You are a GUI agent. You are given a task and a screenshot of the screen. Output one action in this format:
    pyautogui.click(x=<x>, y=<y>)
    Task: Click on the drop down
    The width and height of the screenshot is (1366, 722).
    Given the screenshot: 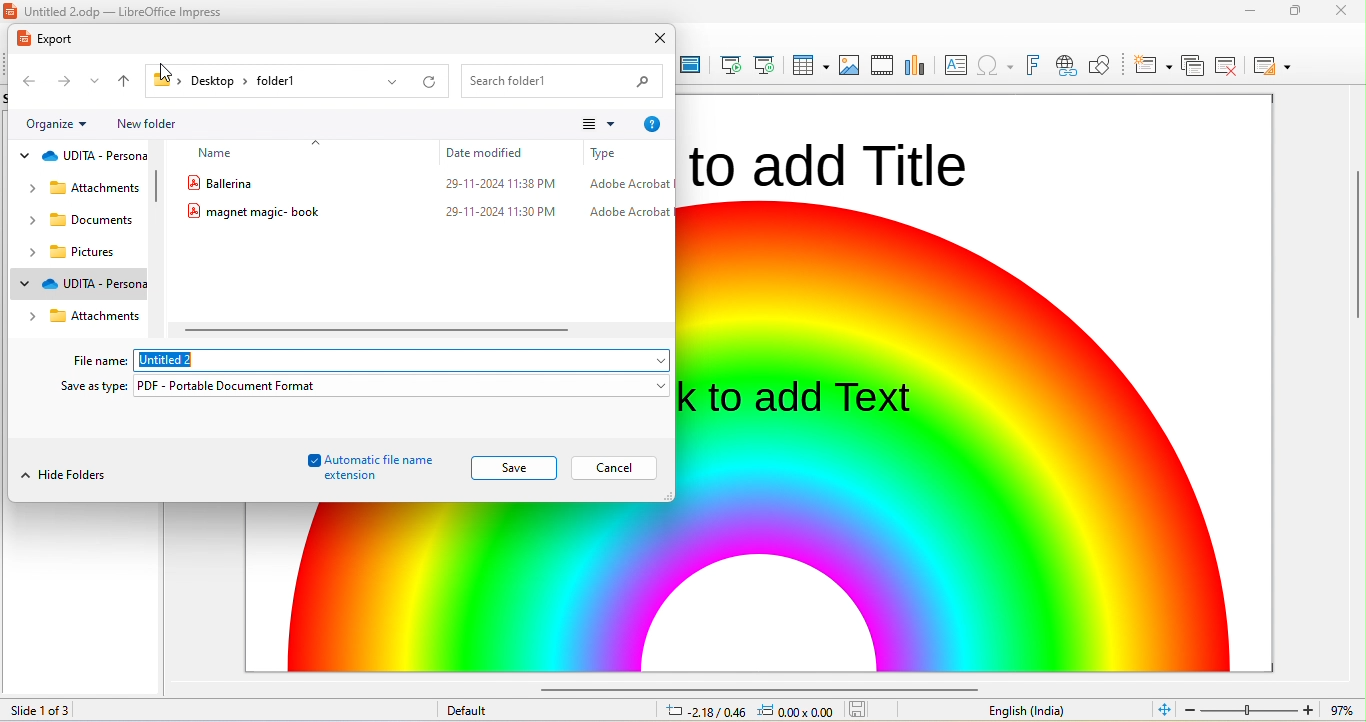 What is the action you would take?
    pyautogui.click(x=98, y=81)
    